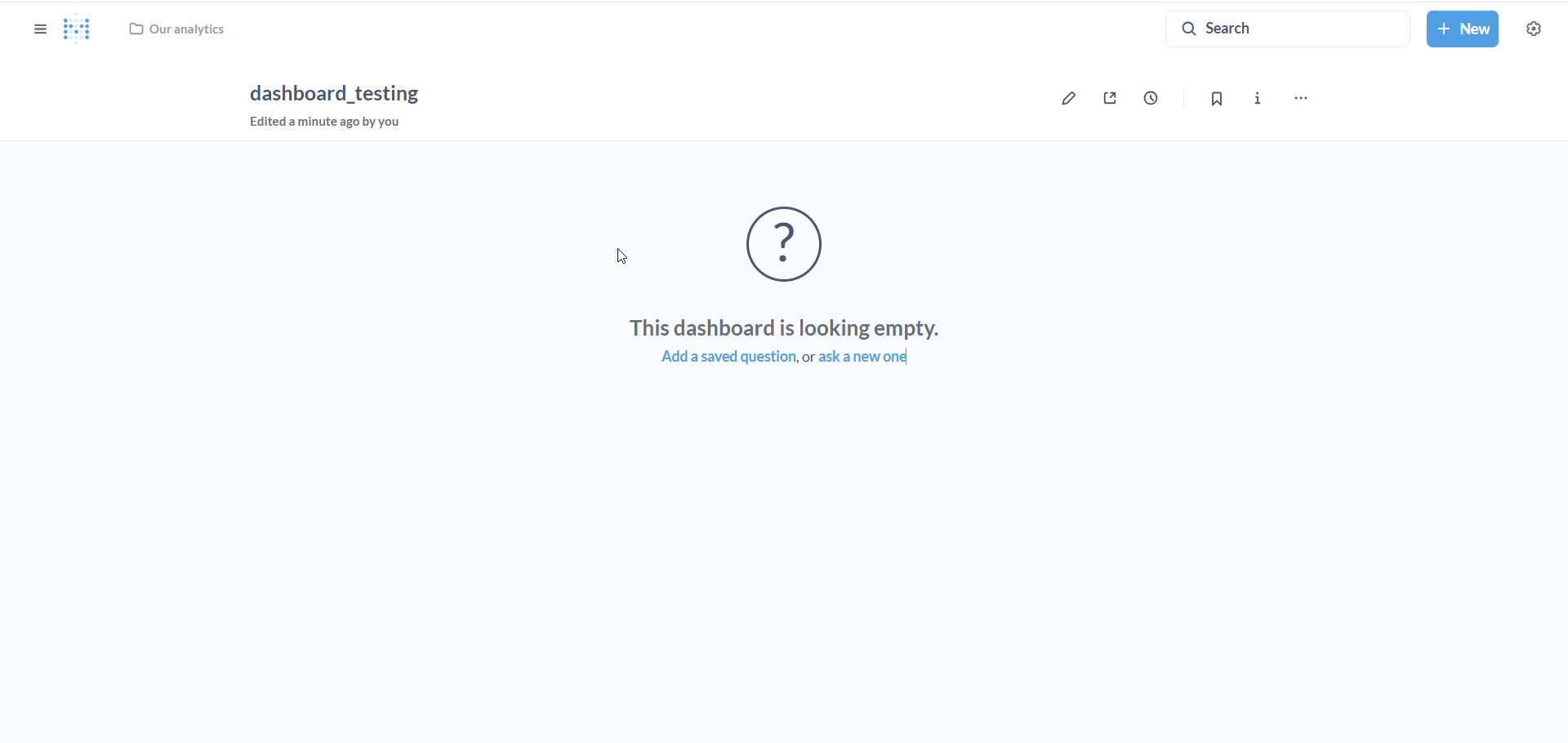 The width and height of the screenshot is (1568, 743). Describe the element at coordinates (624, 256) in the screenshot. I see `cursor` at that location.